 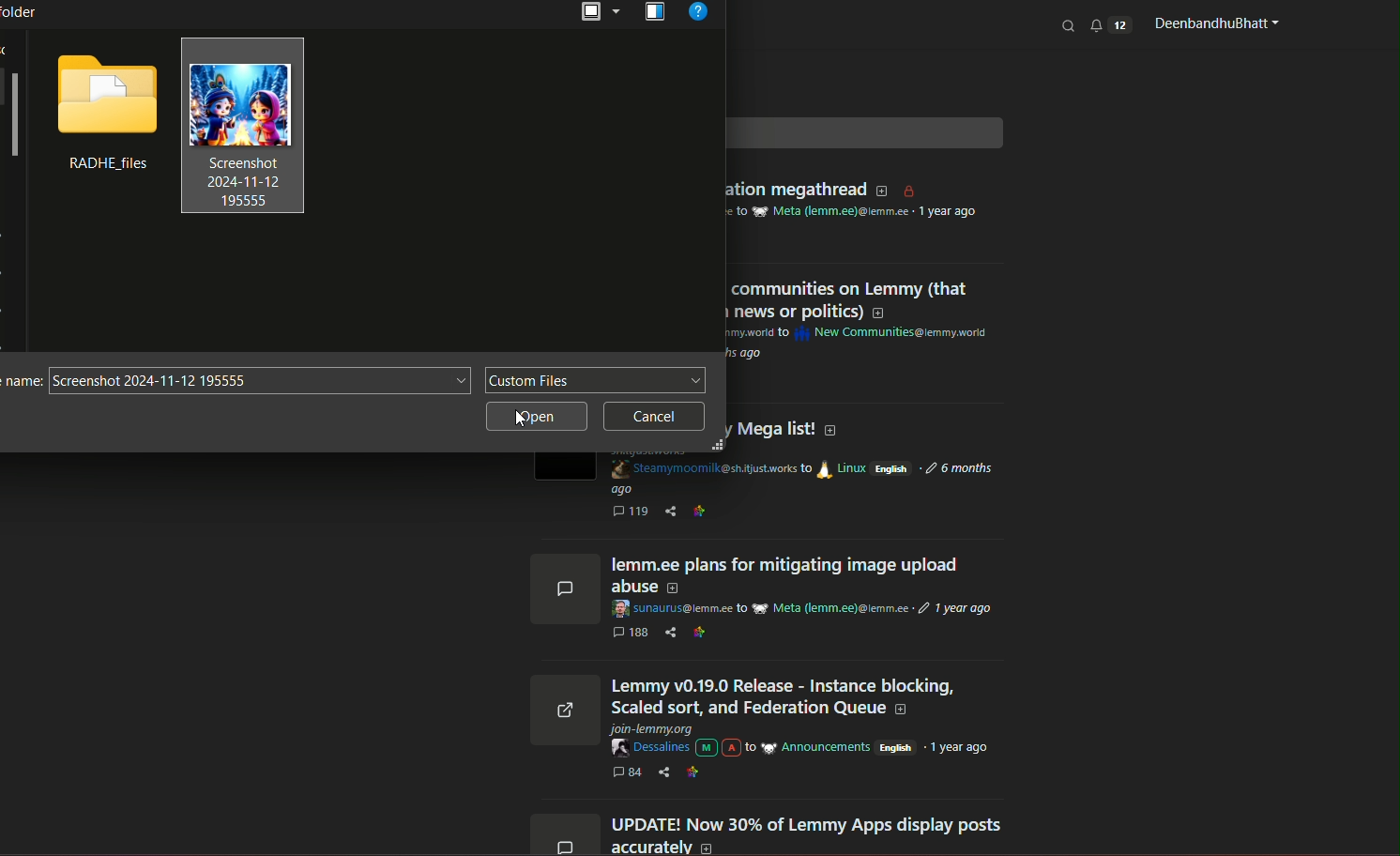 What do you see at coordinates (105, 94) in the screenshot?
I see `folder` at bounding box center [105, 94].